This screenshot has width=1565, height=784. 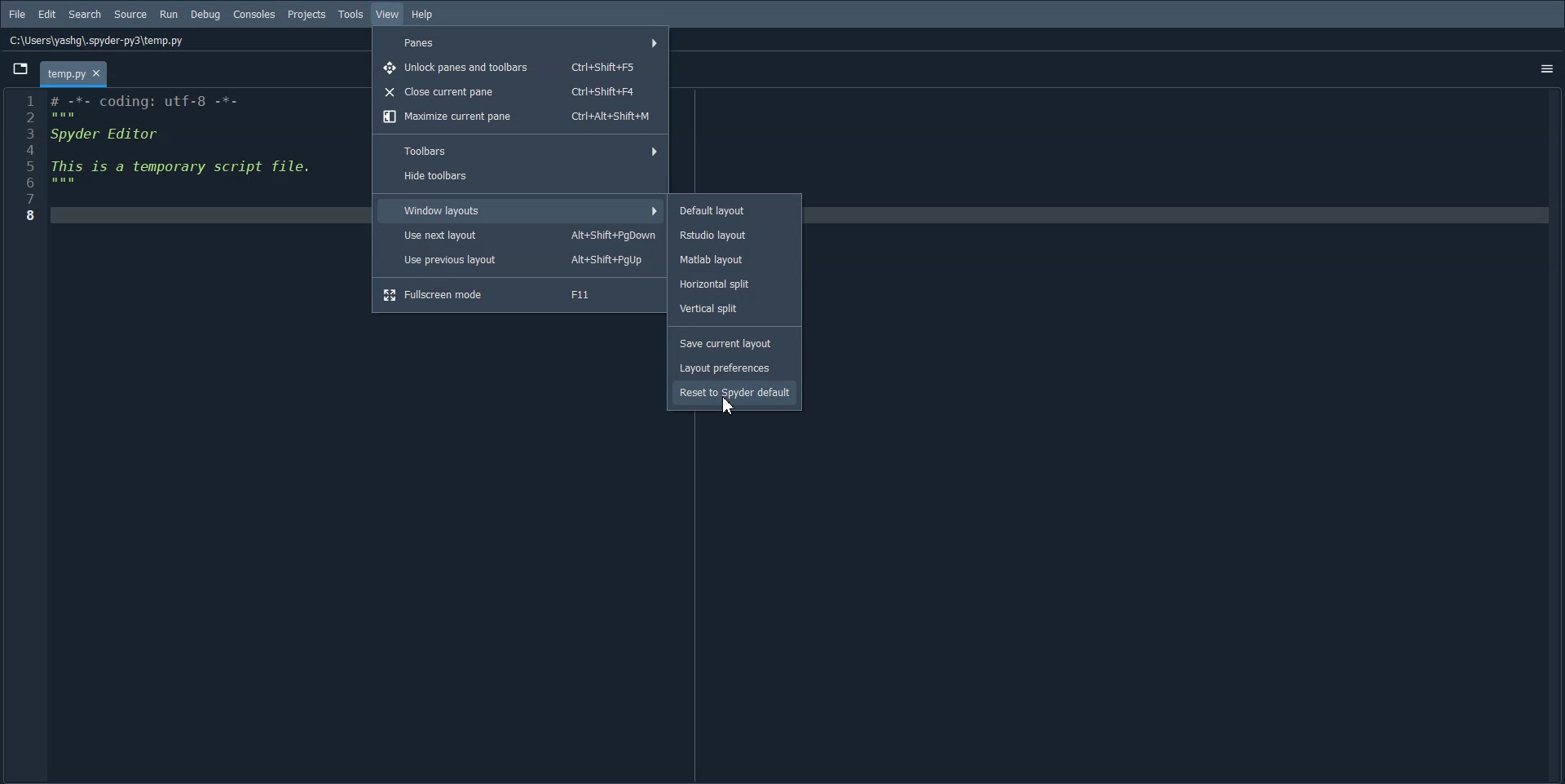 I want to click on Source, so click(x=130, y=15).